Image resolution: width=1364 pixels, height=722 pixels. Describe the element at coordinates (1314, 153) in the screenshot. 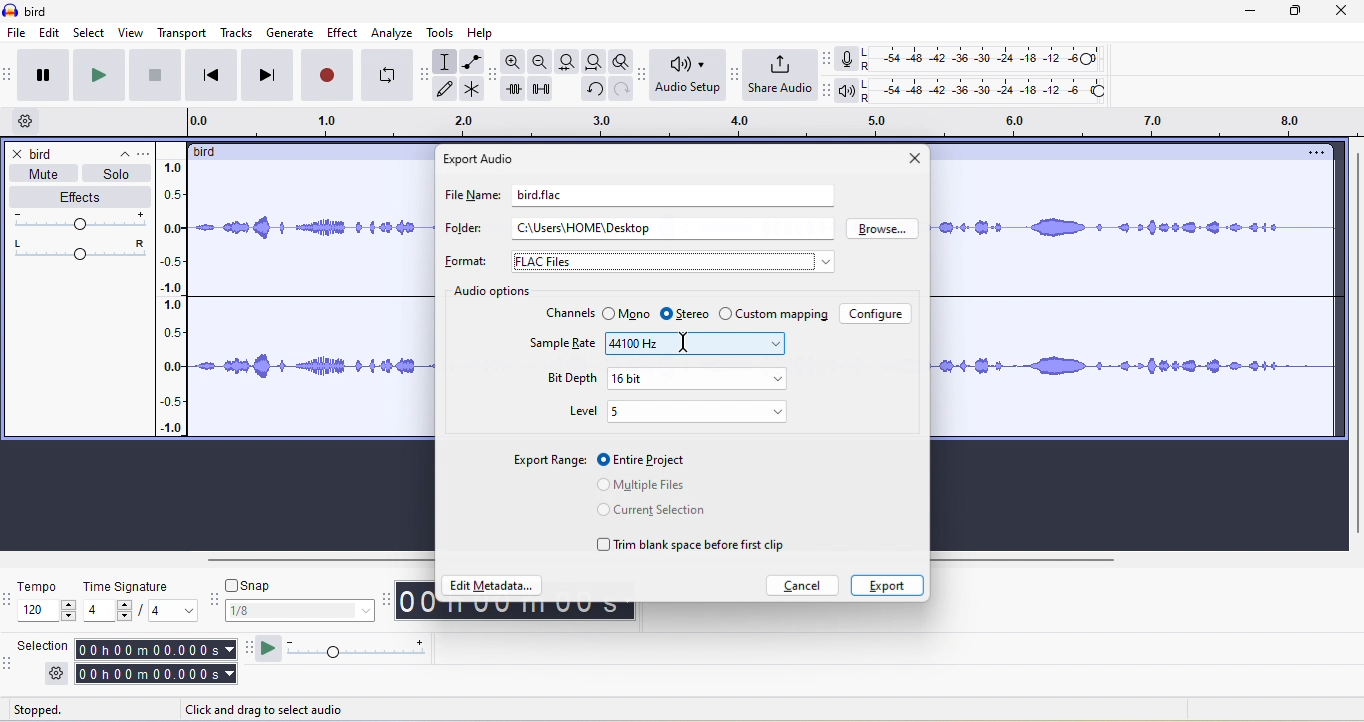

I see `option` at that location.